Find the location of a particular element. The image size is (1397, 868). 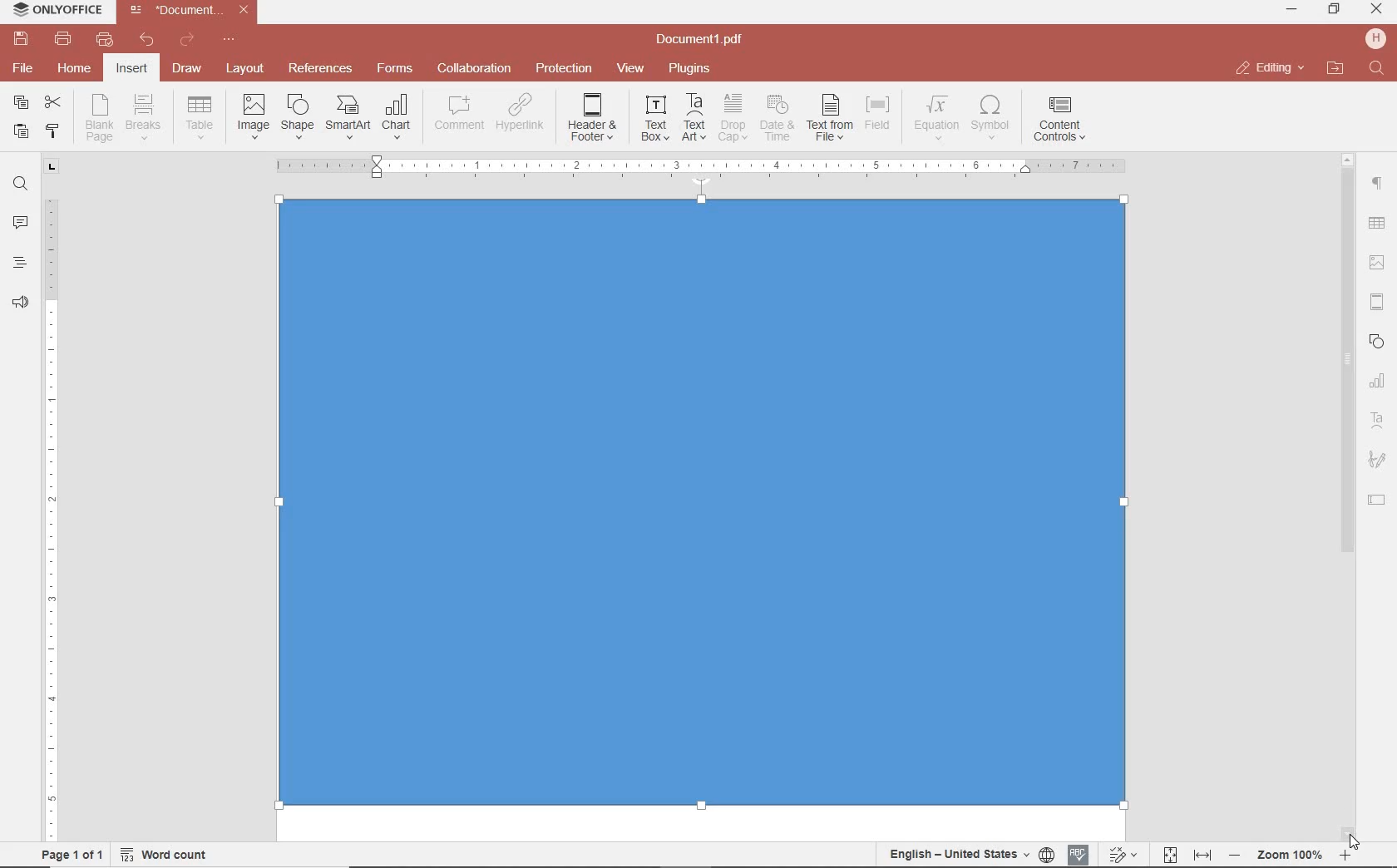

page 1 of 1 is located at coordinates (69, 853).